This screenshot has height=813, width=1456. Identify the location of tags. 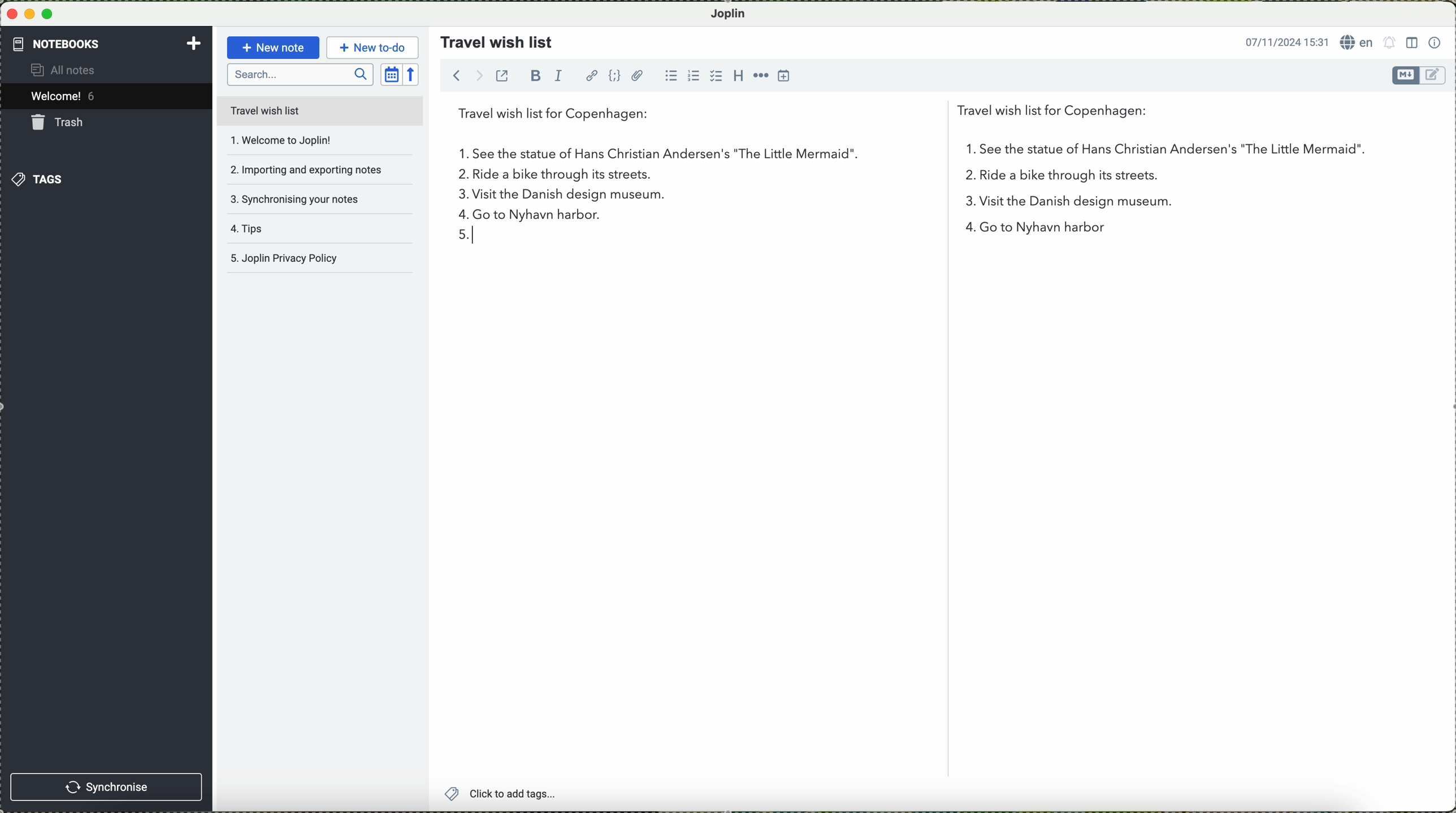
(39, 179).